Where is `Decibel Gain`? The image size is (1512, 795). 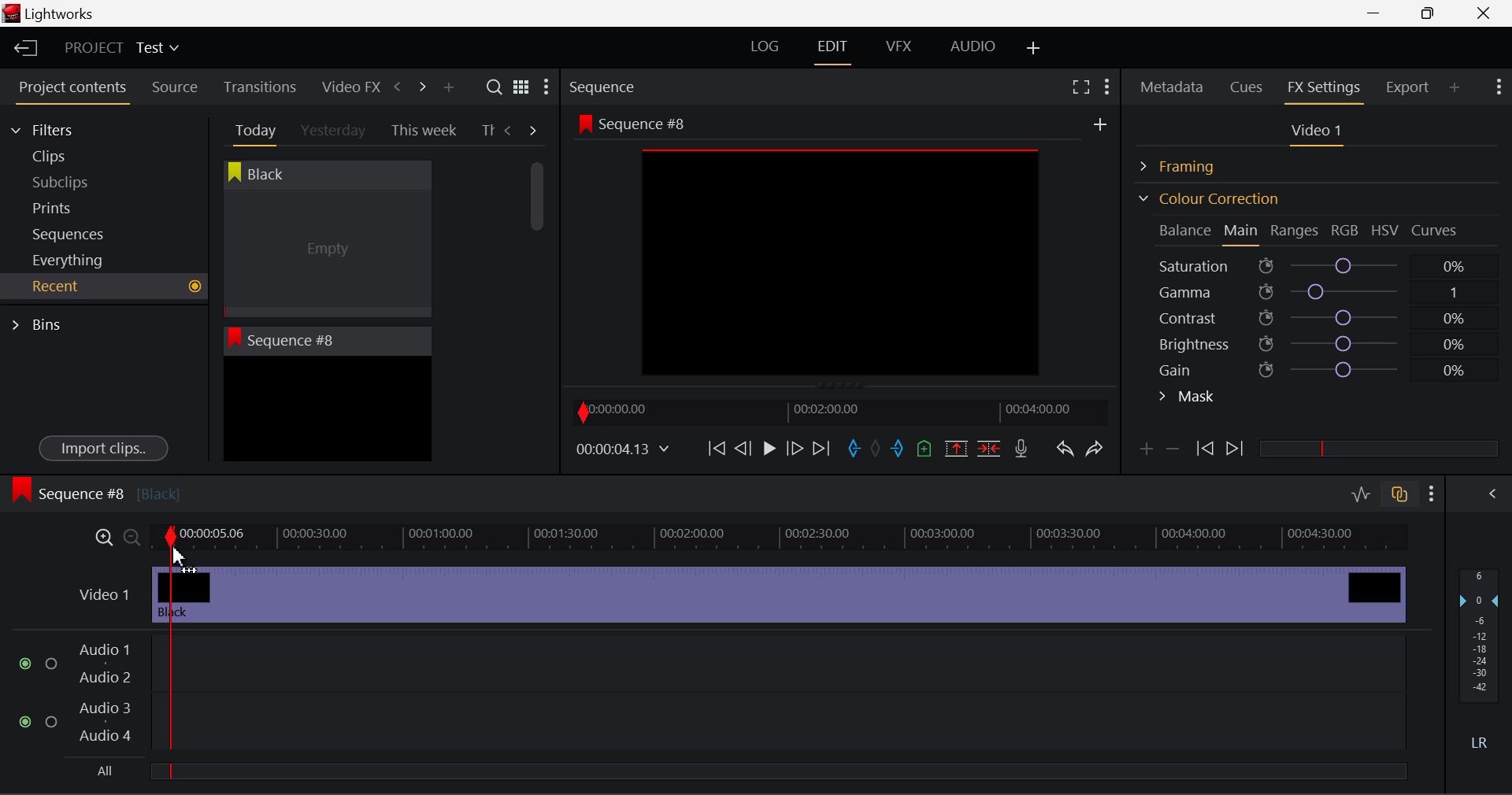
Decibel Gain is located at coordinates (1478, 663).